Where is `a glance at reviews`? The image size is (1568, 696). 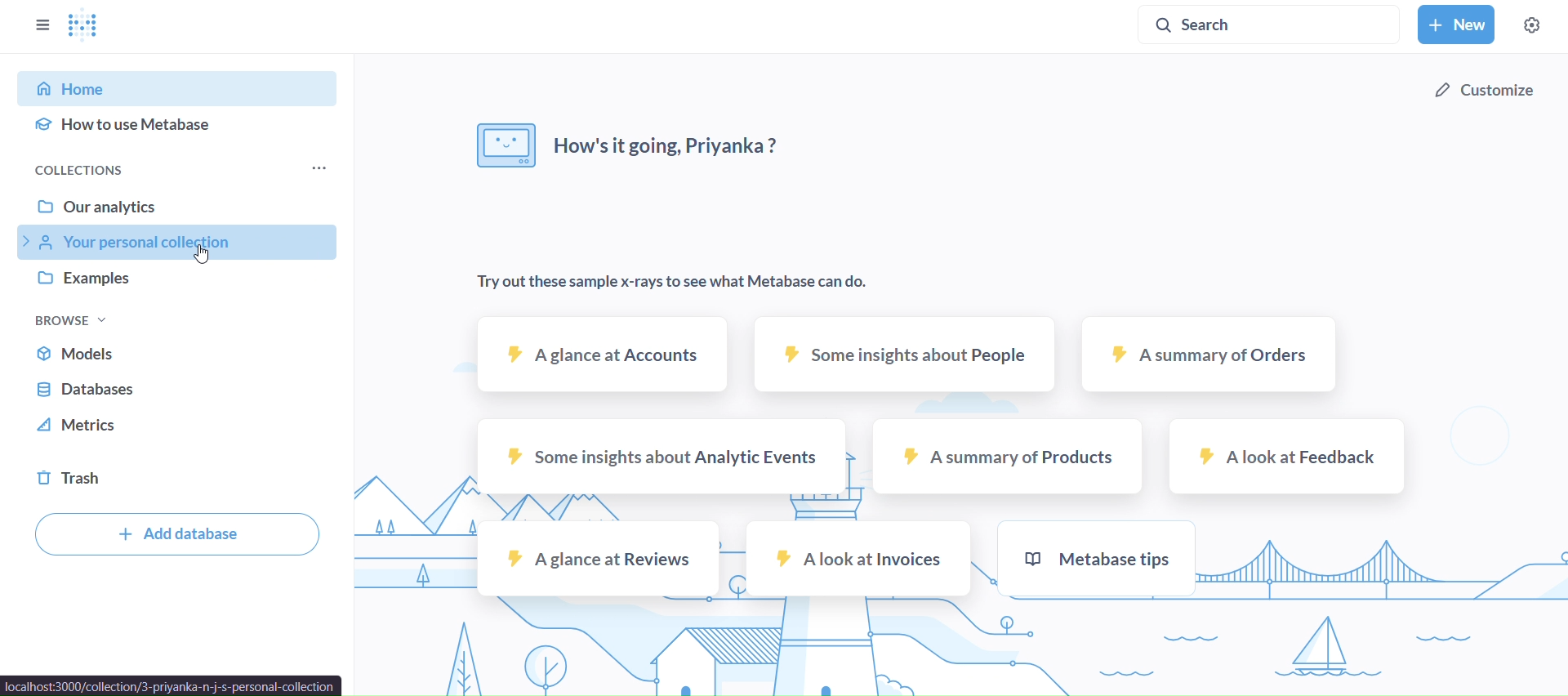 a glance at reviews is located at coordinates (599, 559).